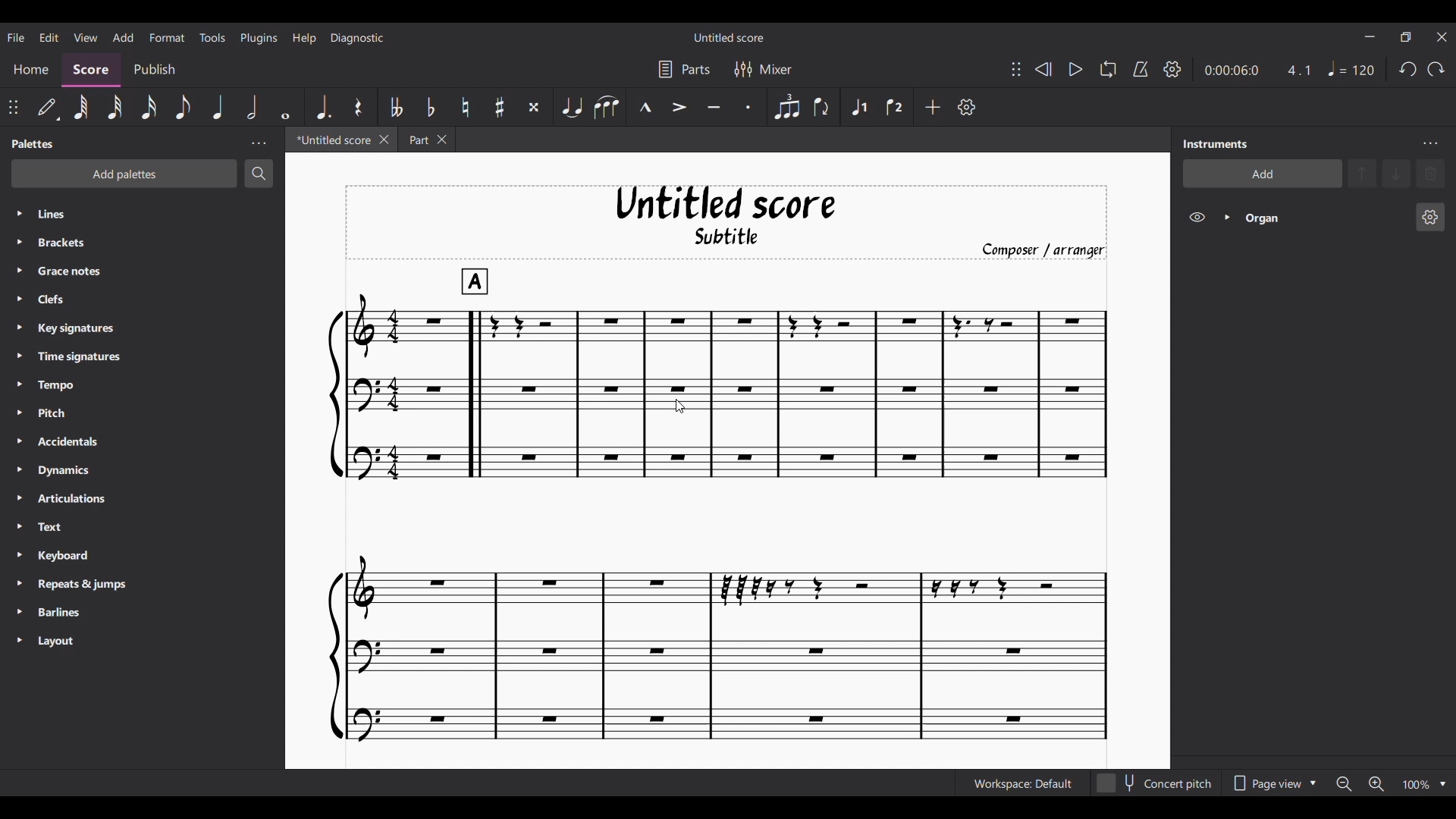  What do you see at coordinates (92, 71) in the screenshot?
I see `Score, current section highlighted` at bounding box center [92, 71].